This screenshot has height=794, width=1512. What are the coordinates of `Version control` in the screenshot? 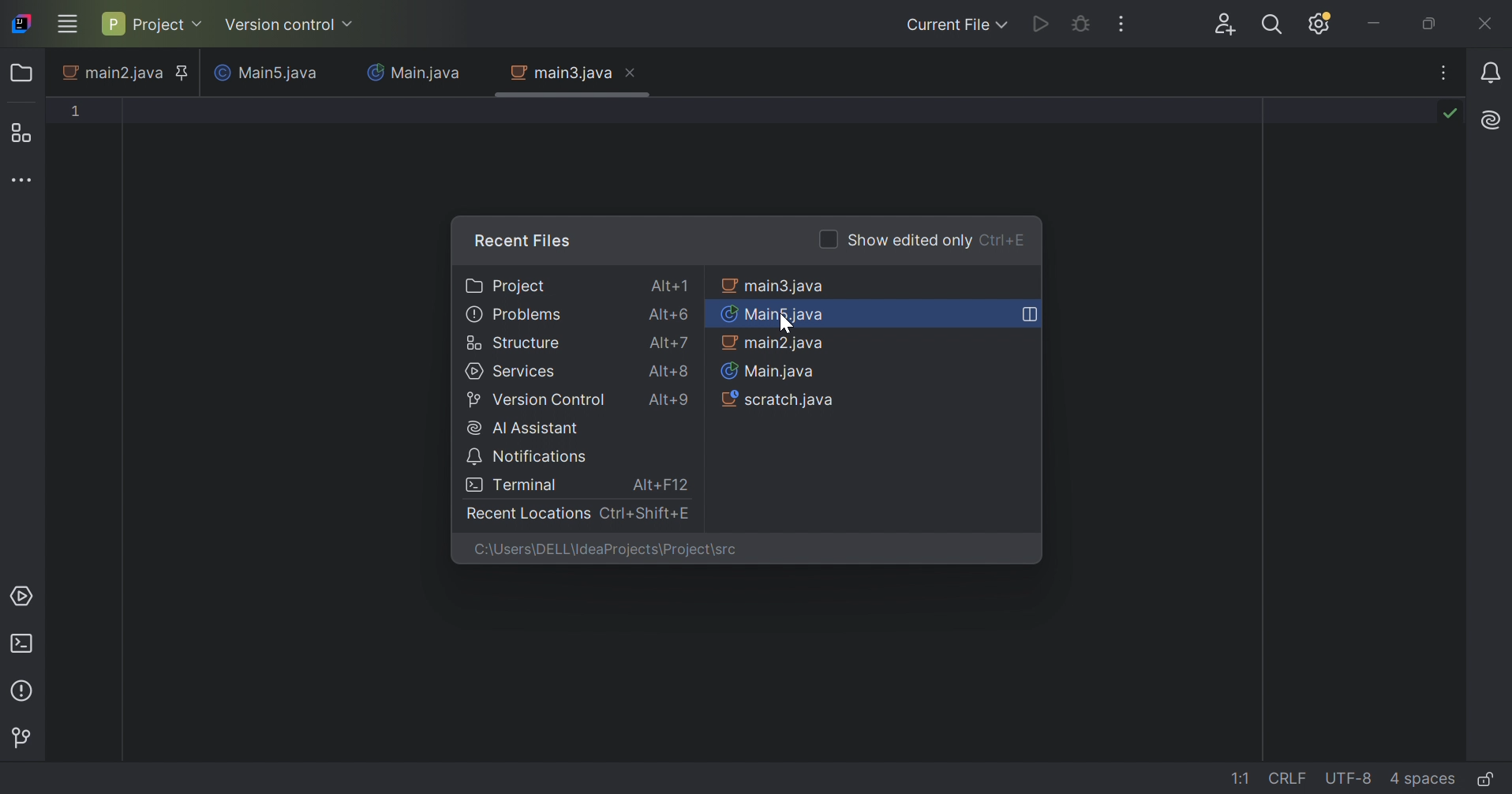 It's located at (540, 400).